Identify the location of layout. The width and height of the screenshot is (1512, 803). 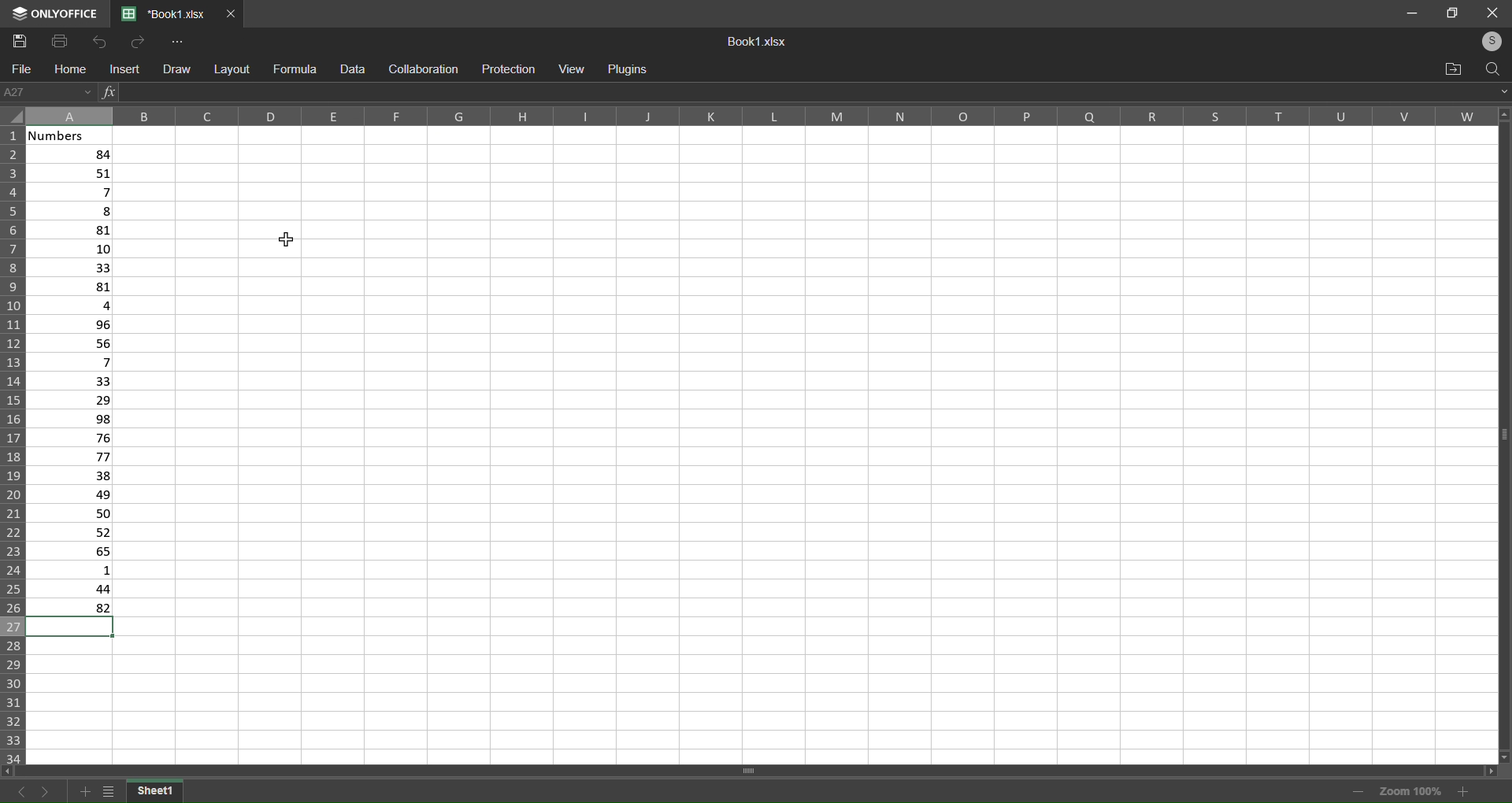
(232, 69).